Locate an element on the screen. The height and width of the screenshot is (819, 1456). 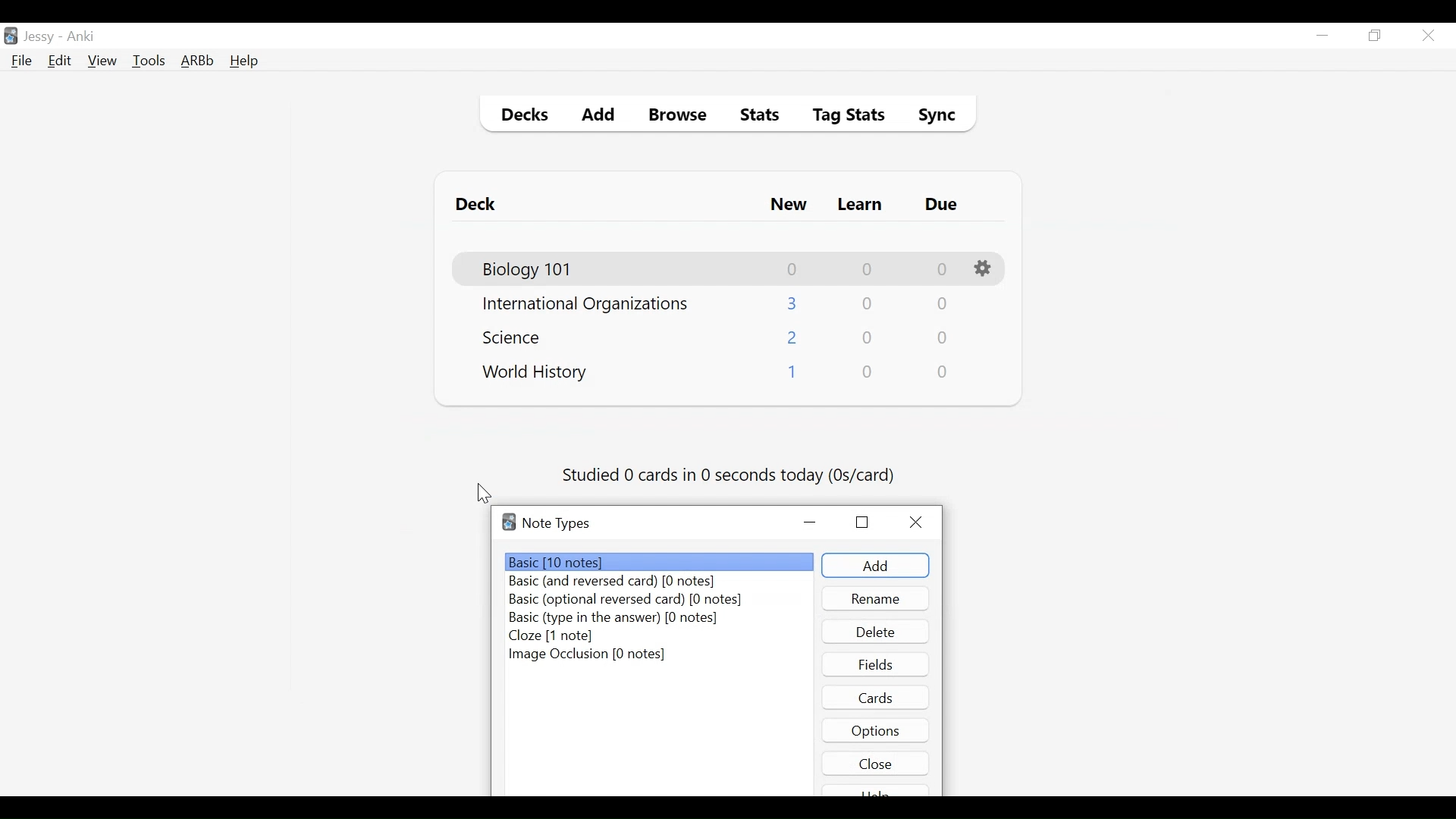
Learn Card Count is located at coordinates (866, 269).